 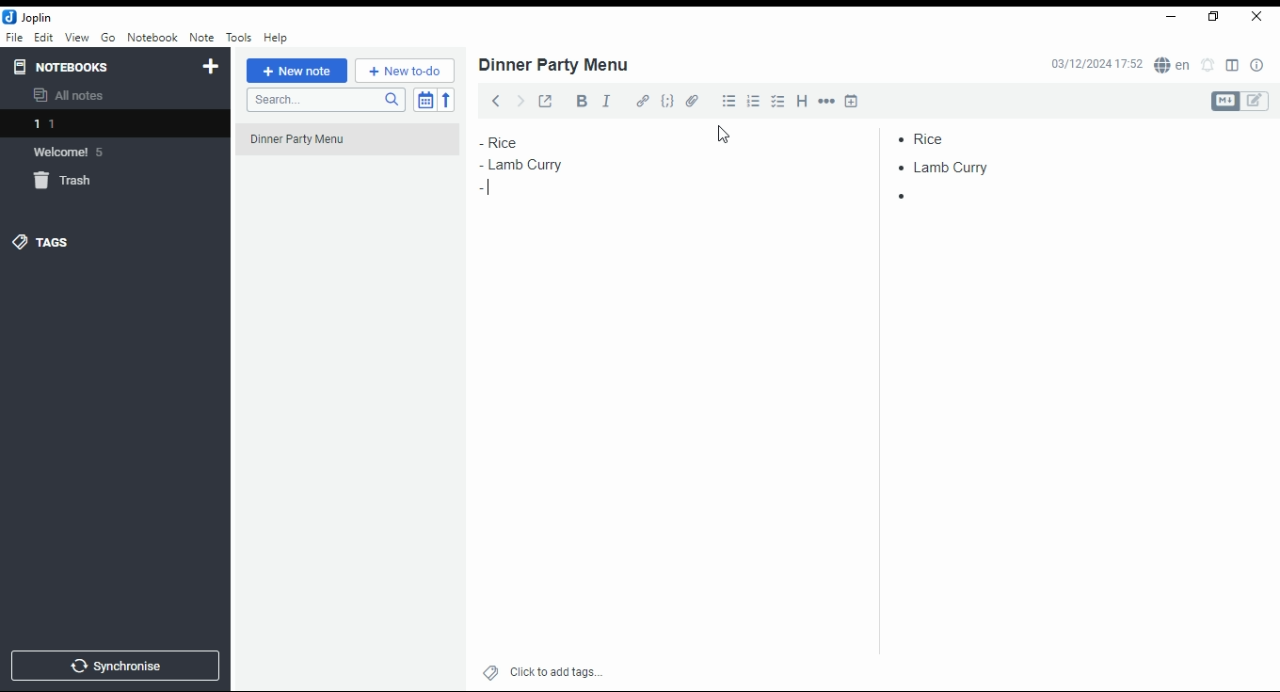 I want to click on italics, so click(x=607, y=100).